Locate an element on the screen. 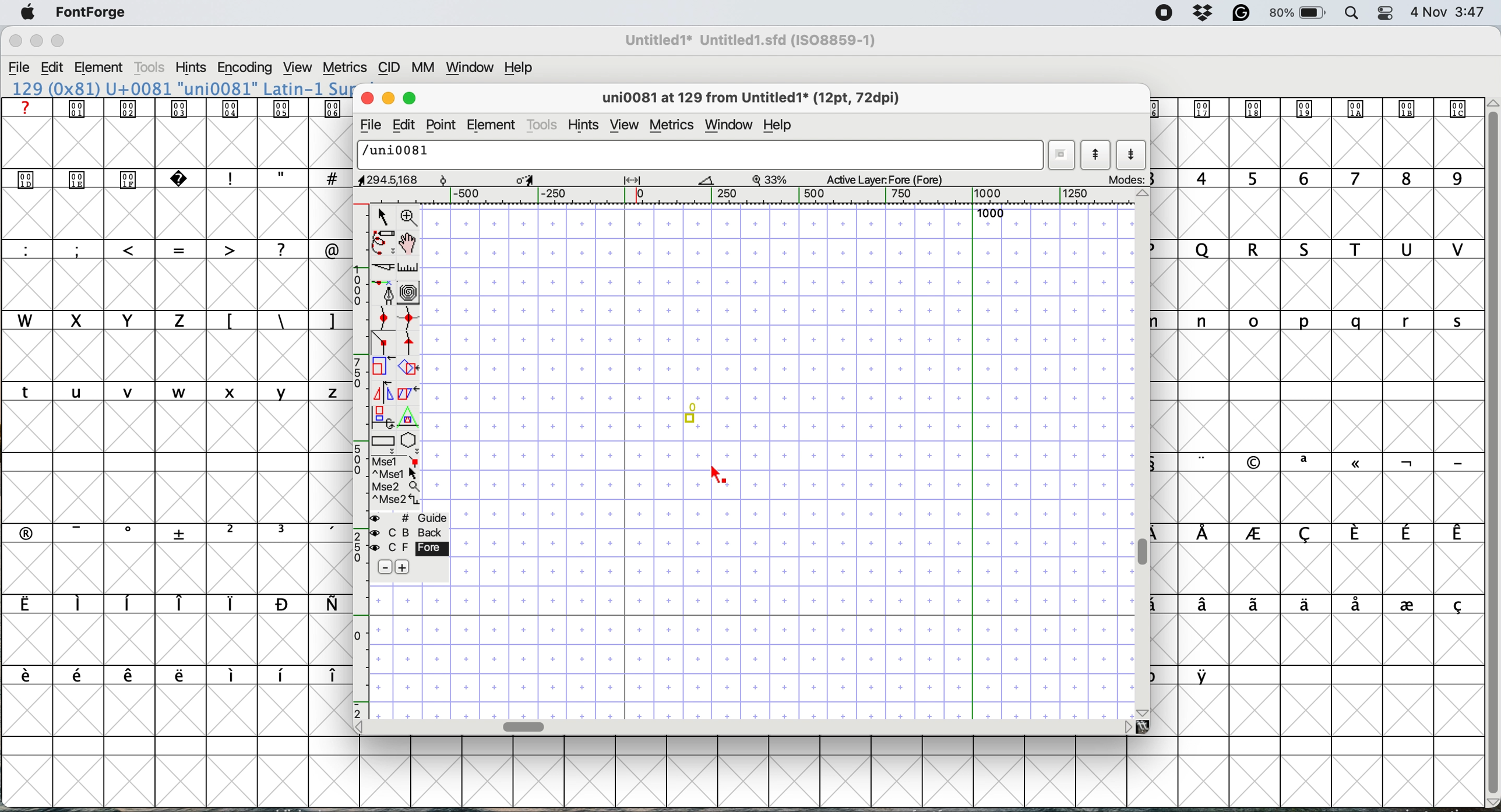 The image size is (1501, 812). Hints is located at coordinates (191, 68).